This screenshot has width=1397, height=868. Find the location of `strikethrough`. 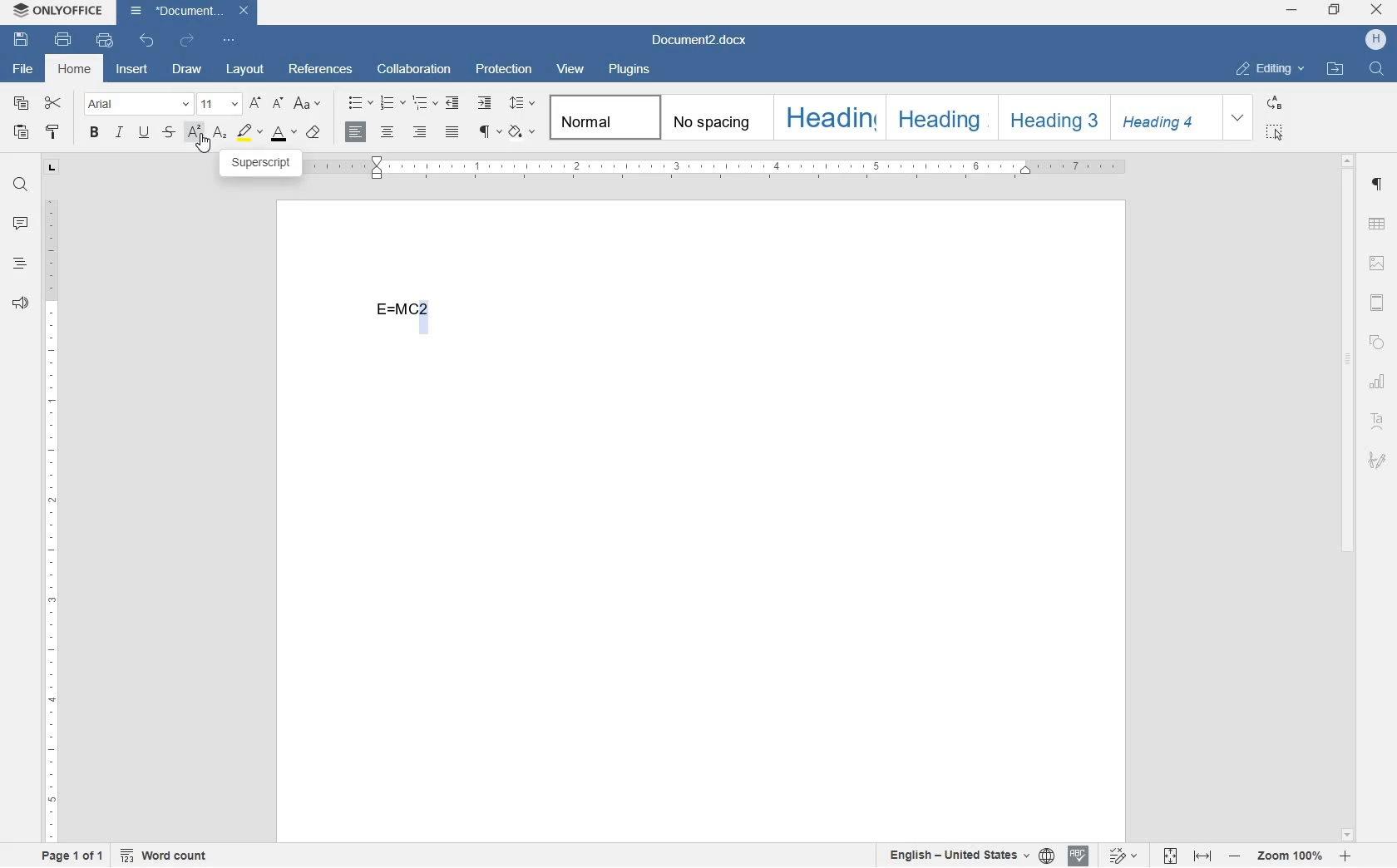

strikethrough is located at coordinates (170, 133).